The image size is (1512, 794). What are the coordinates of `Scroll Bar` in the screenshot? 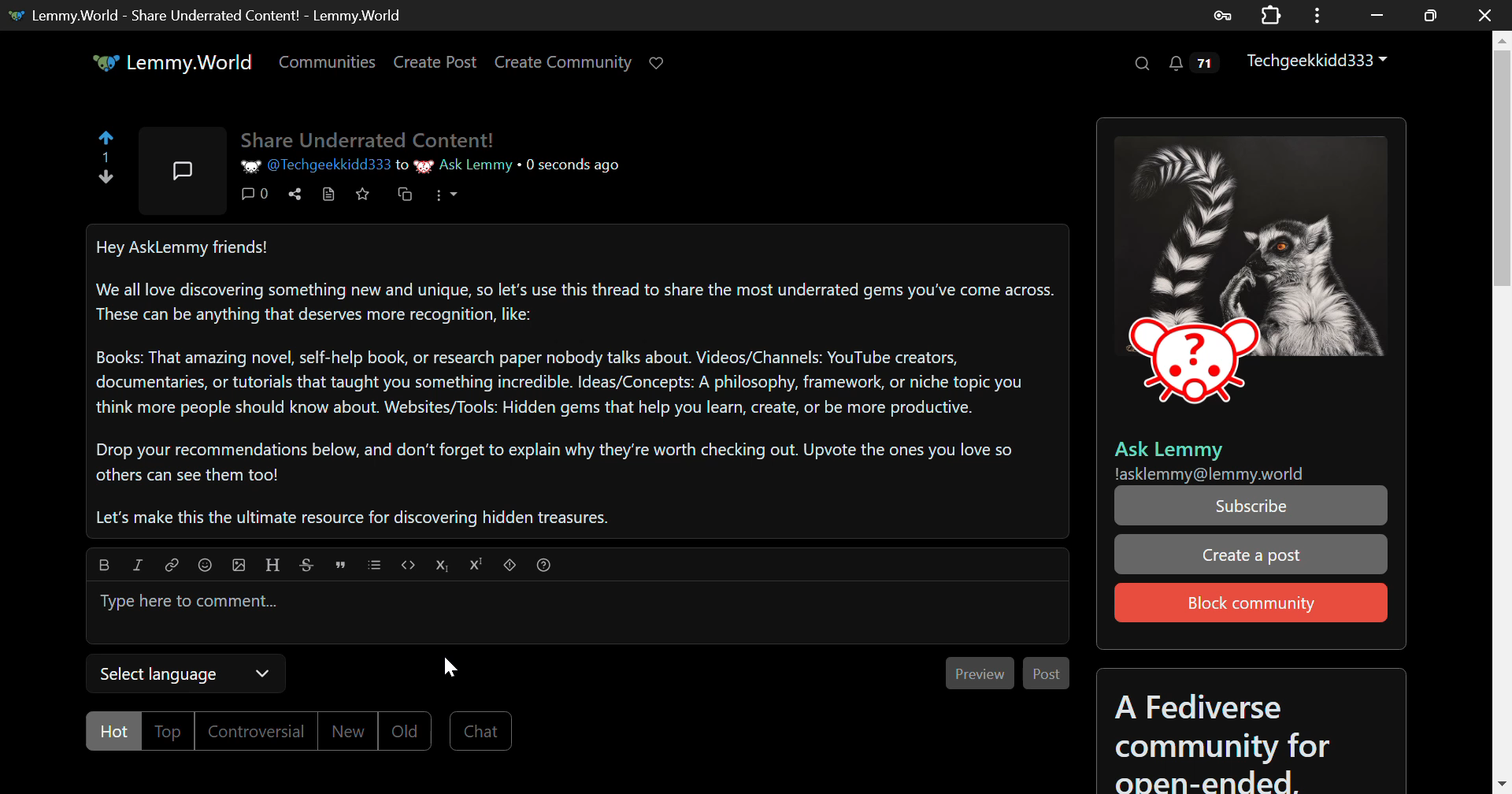 It's located at (1503, 404).